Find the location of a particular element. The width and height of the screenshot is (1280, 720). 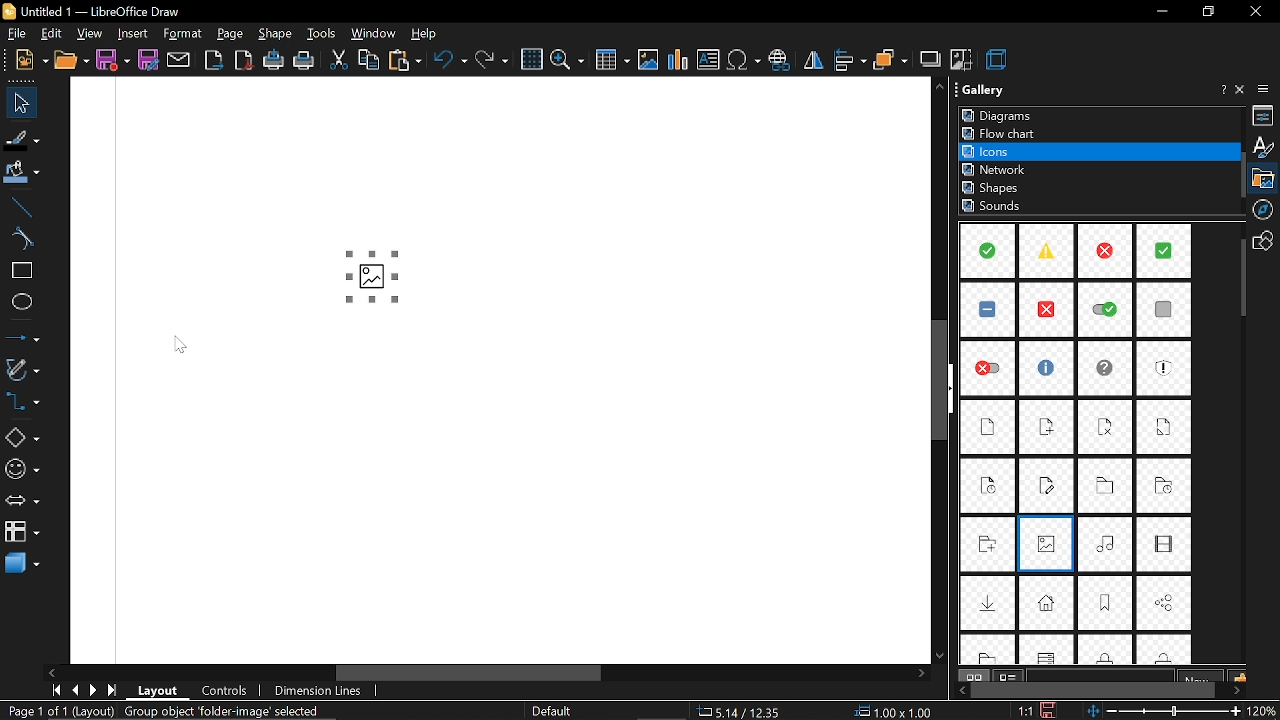

basic shapes is located at coordinates (21, 440).